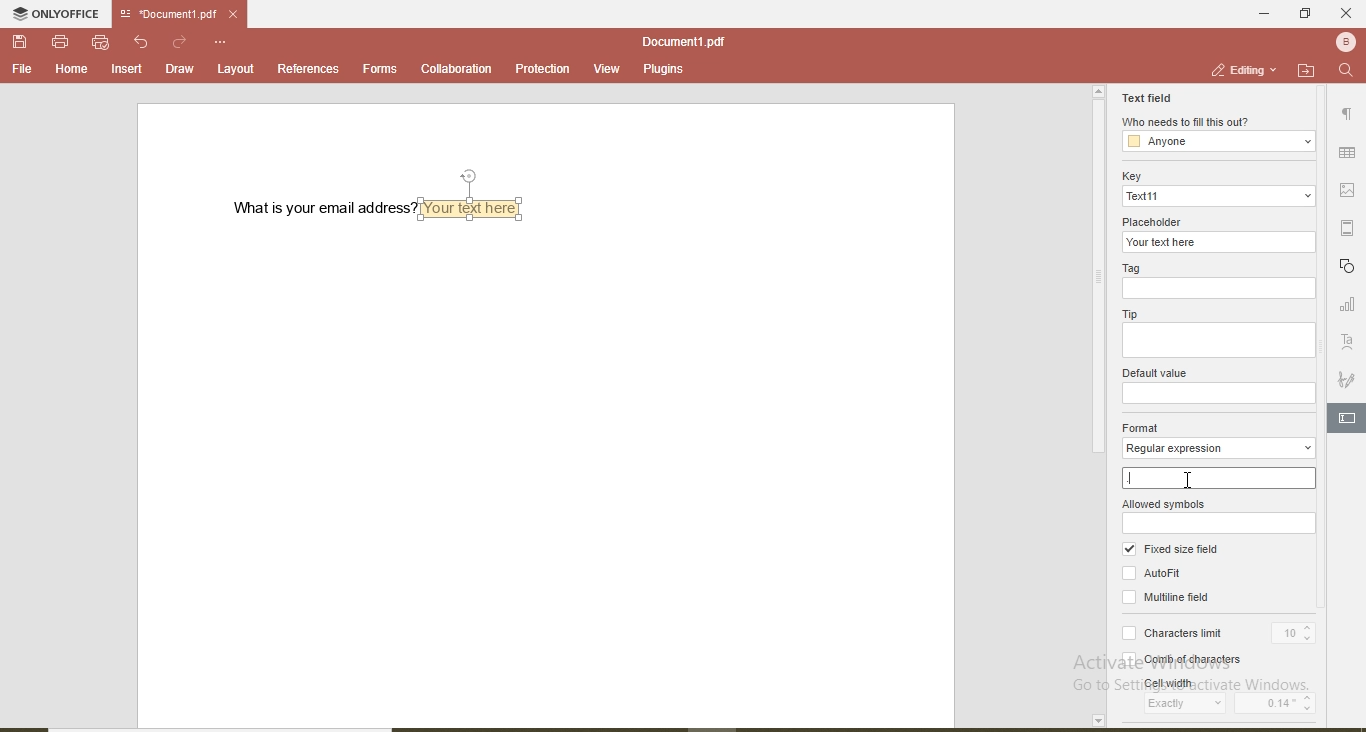 The height and width of the screenshot is (732, 1366). What do you see at coordinates (1097, 721) in the screenshot?
I see `page down` at bounding box center [1097, 721].